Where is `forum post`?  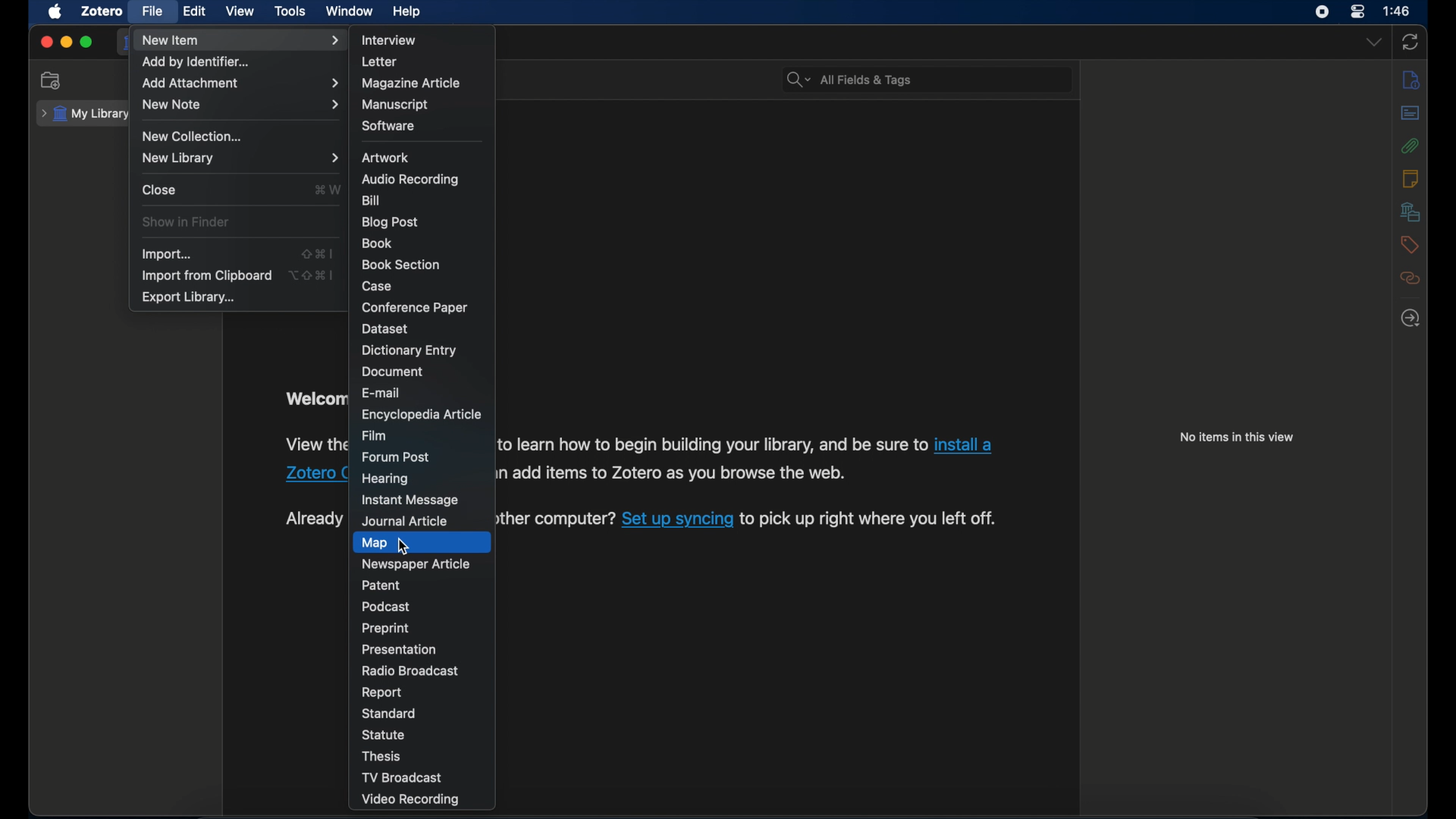 forum post is located at coordinates (396, 457).